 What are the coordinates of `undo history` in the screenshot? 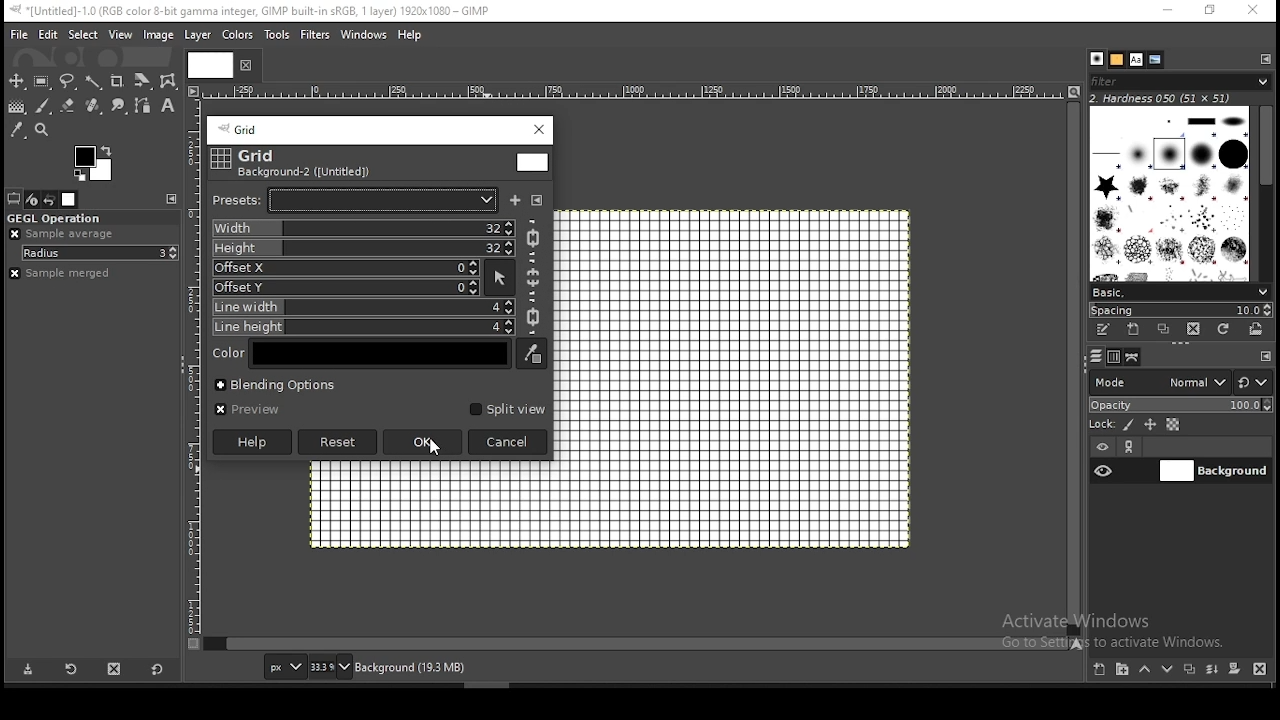 It's located at (50, 200).